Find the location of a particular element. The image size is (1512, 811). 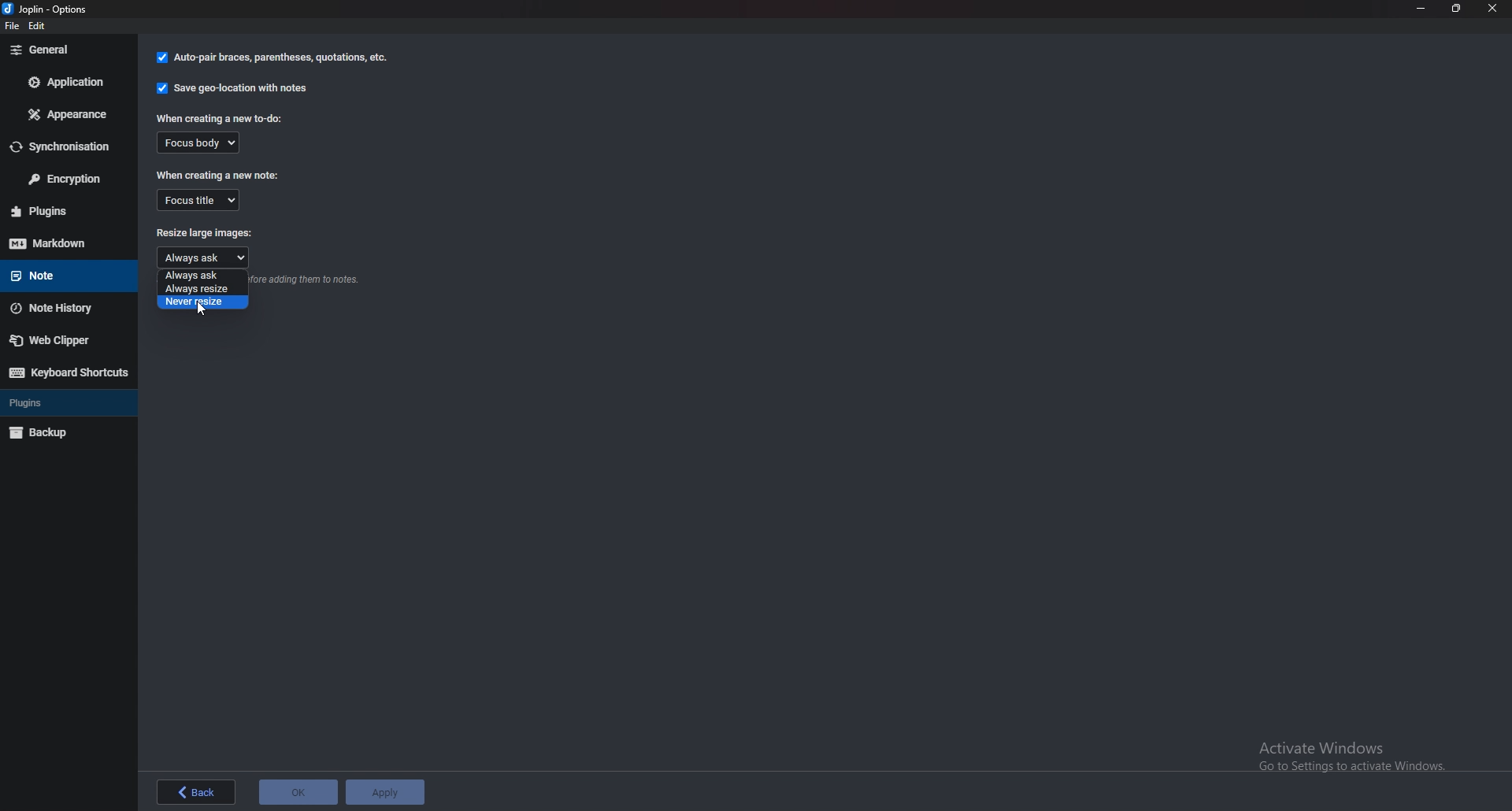

Mark down is located at coordinates (67, 243).